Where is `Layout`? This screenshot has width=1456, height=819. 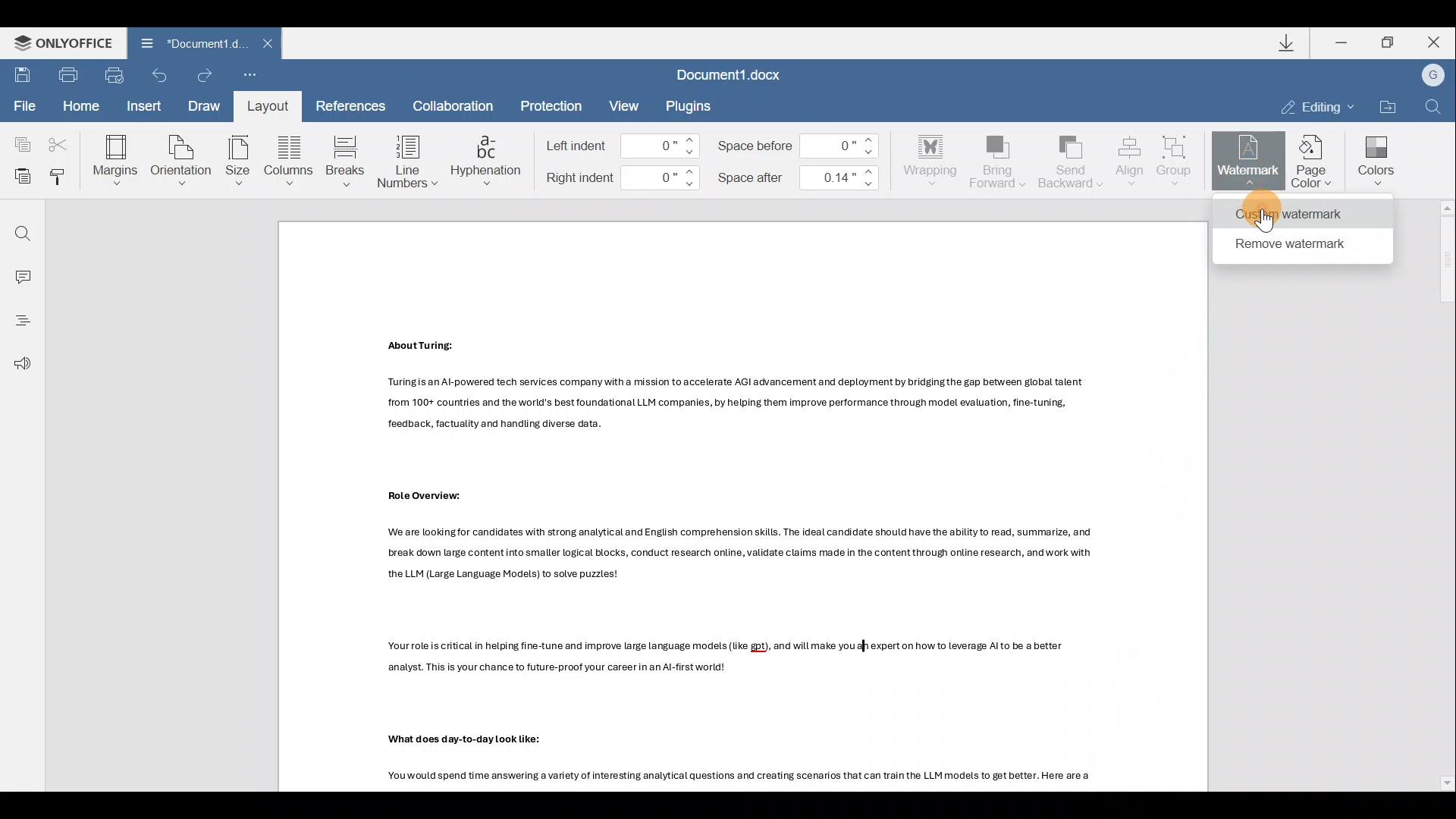 Layout is located at coordinates (272, 107).